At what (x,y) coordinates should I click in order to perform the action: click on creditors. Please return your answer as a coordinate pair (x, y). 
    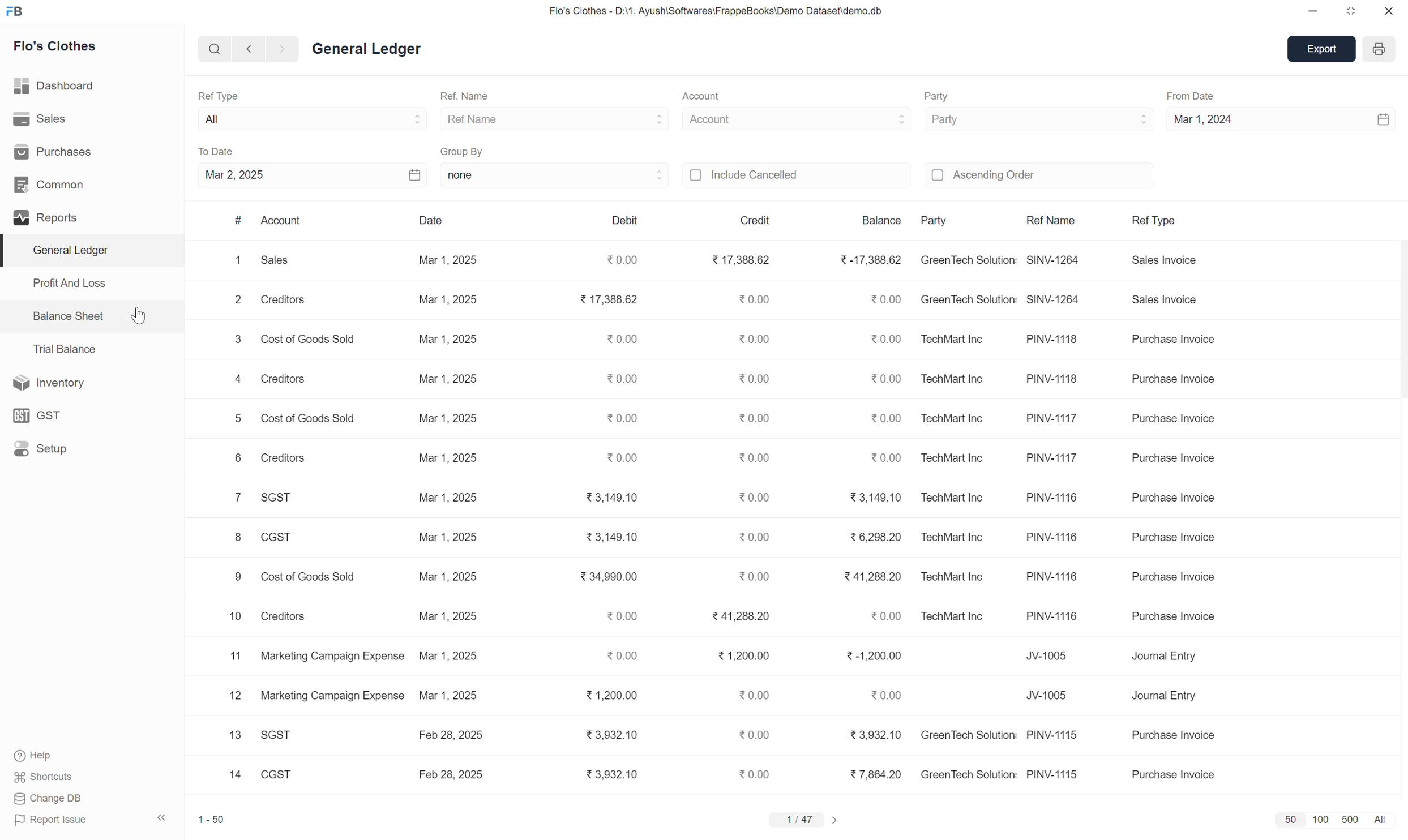
    Looking at the image, I should click on (290, 616).